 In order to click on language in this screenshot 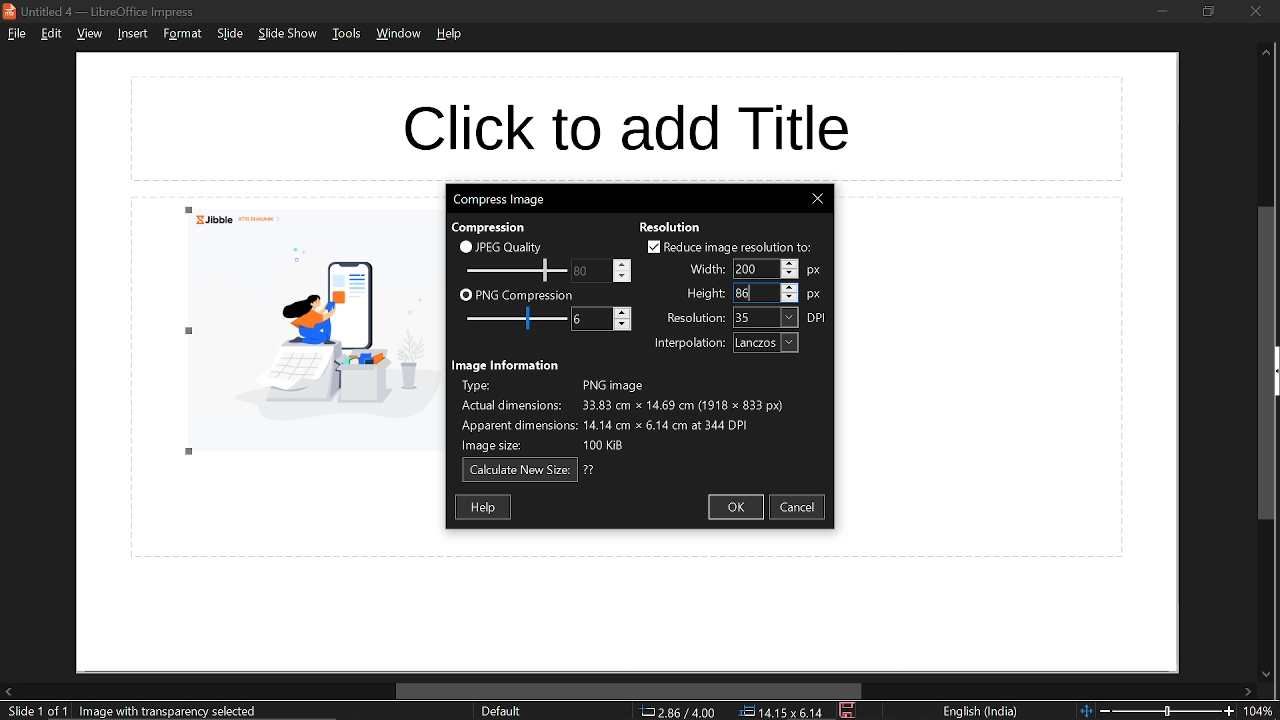, I will do `click(981, 712)`.